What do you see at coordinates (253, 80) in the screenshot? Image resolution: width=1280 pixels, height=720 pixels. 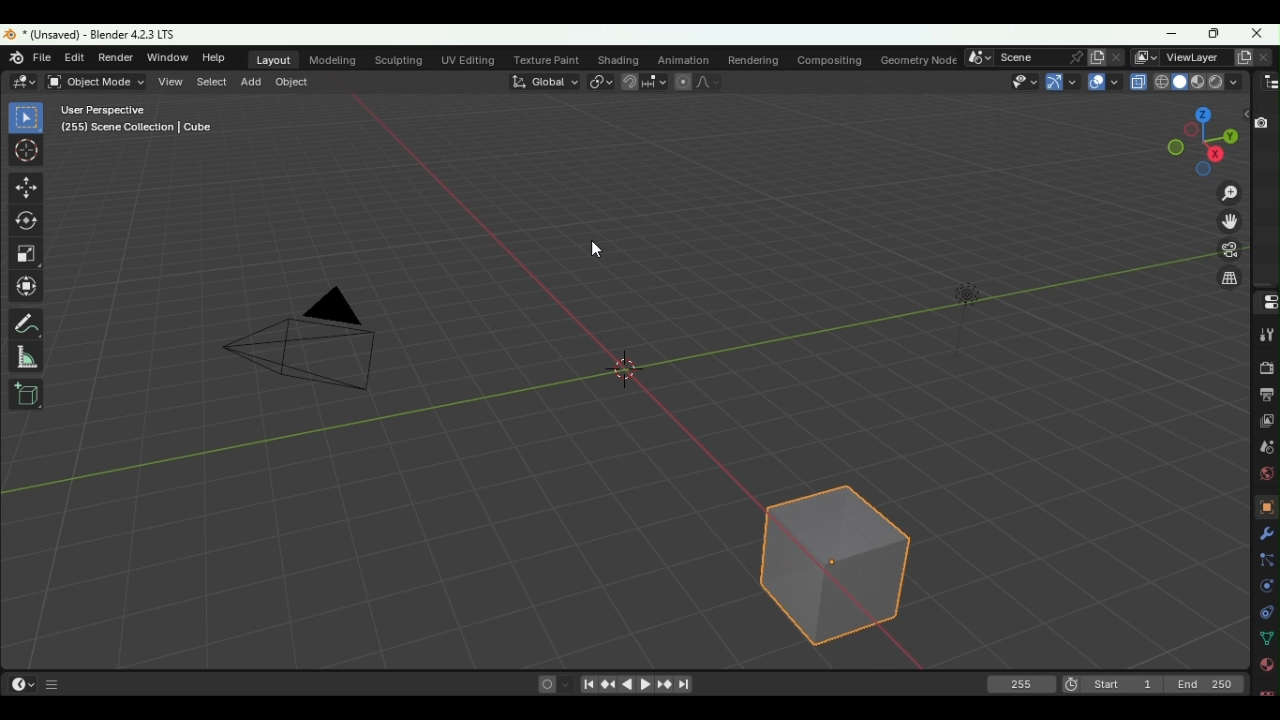 I see `Add` at bounding box center [253, 80].